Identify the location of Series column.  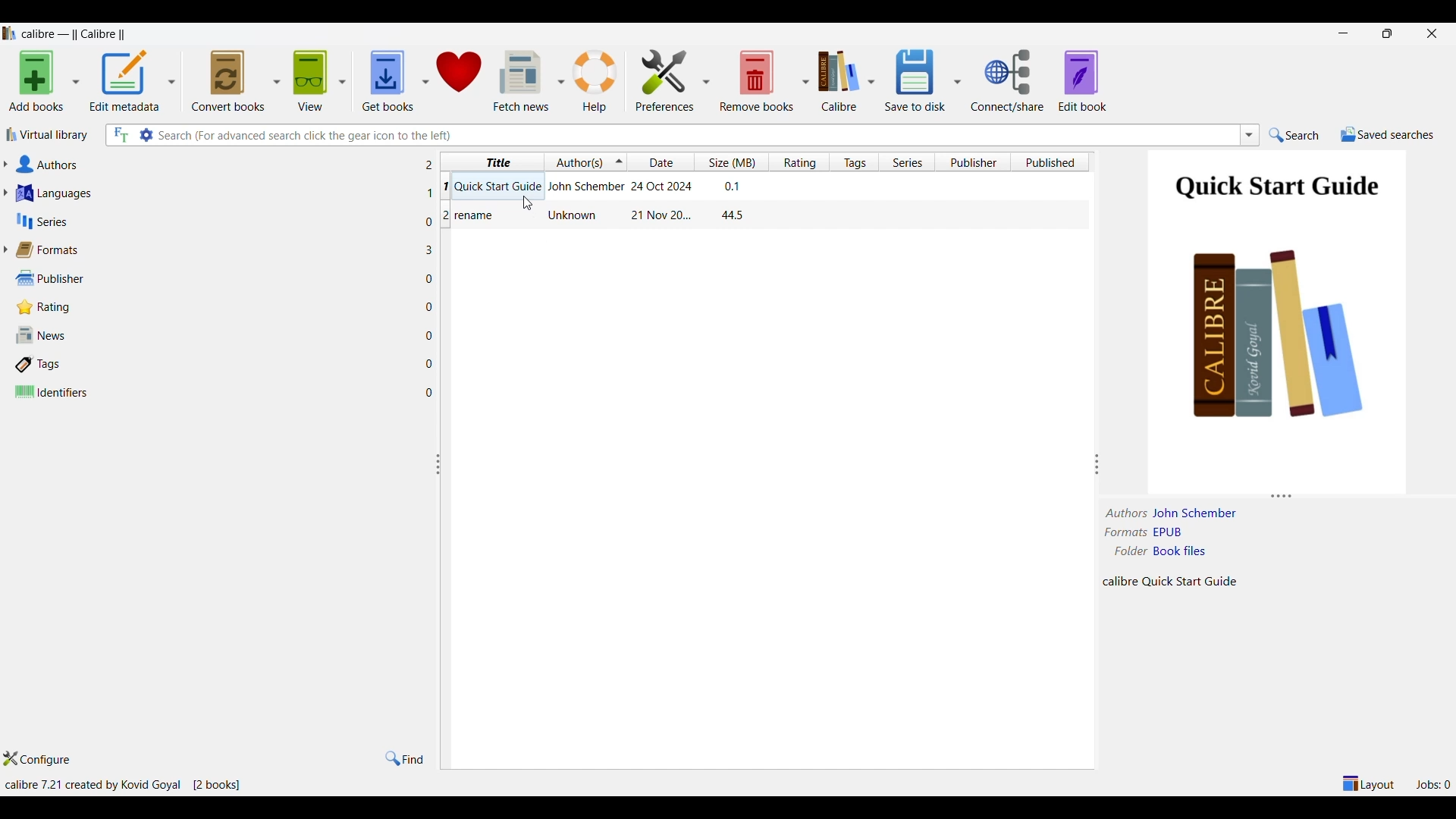
(906, 162).